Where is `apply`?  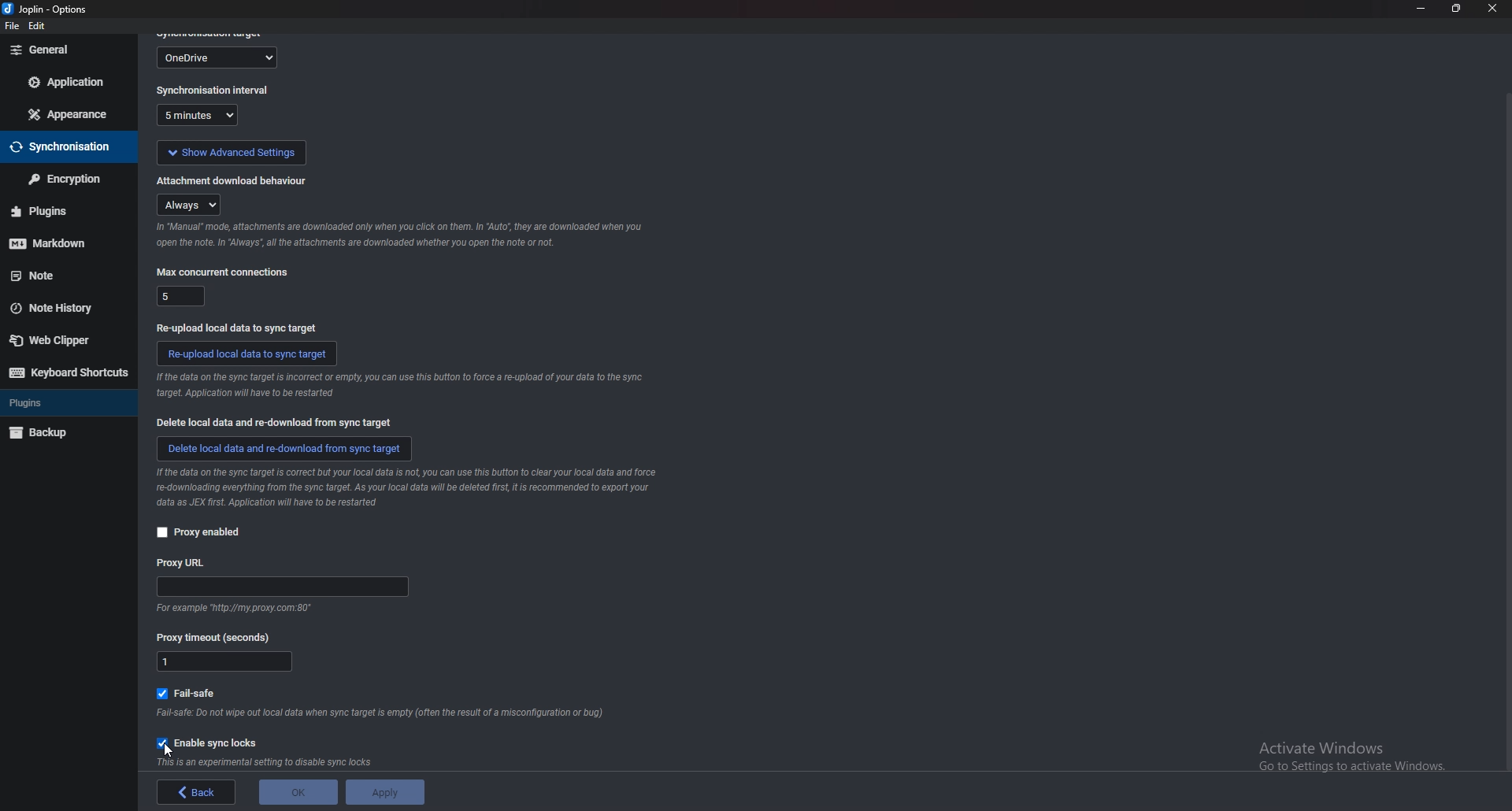
apply is located at coordinates (381, 792).